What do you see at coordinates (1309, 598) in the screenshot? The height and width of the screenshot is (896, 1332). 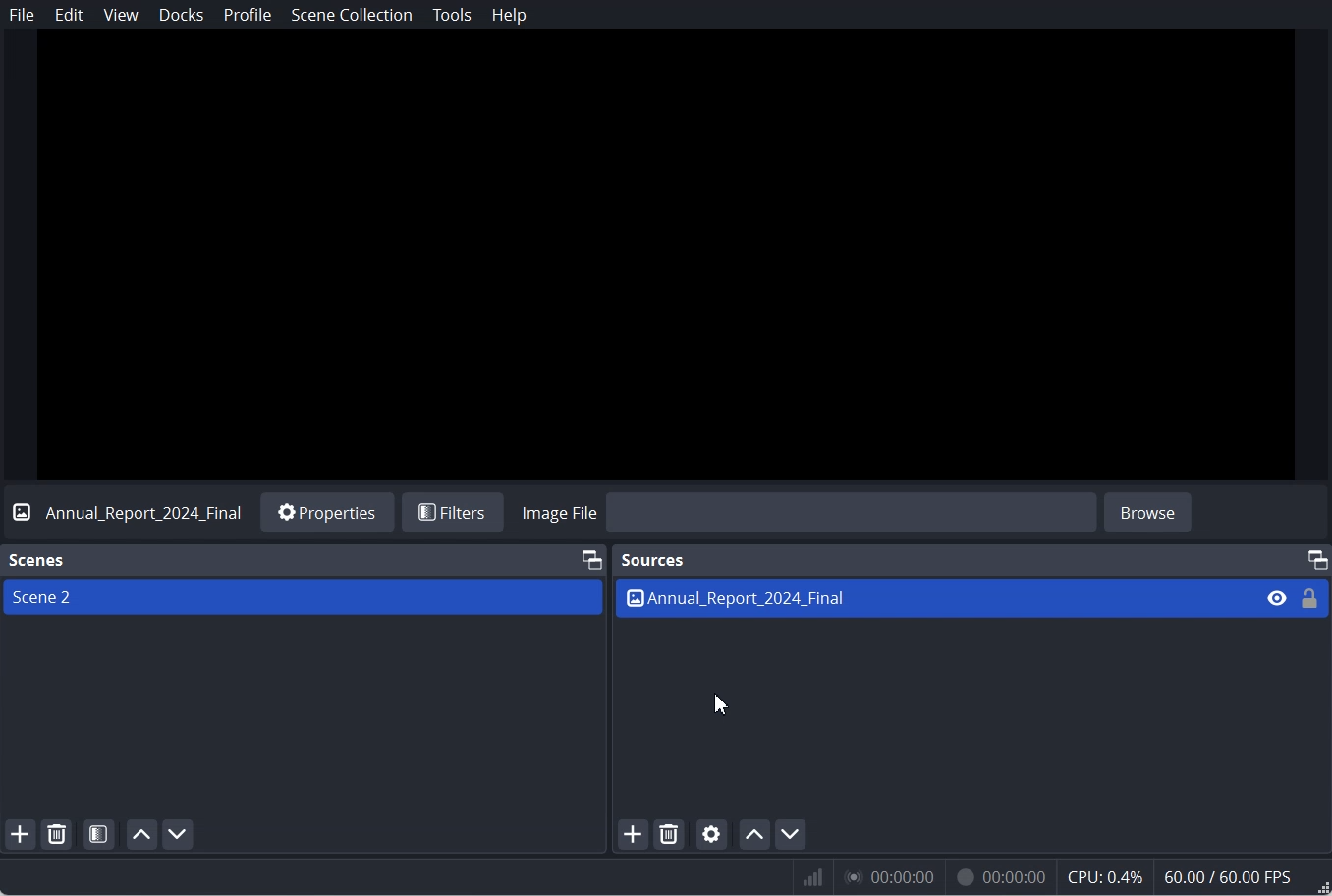 I see `Lock` at bounding box center [1309, 598].